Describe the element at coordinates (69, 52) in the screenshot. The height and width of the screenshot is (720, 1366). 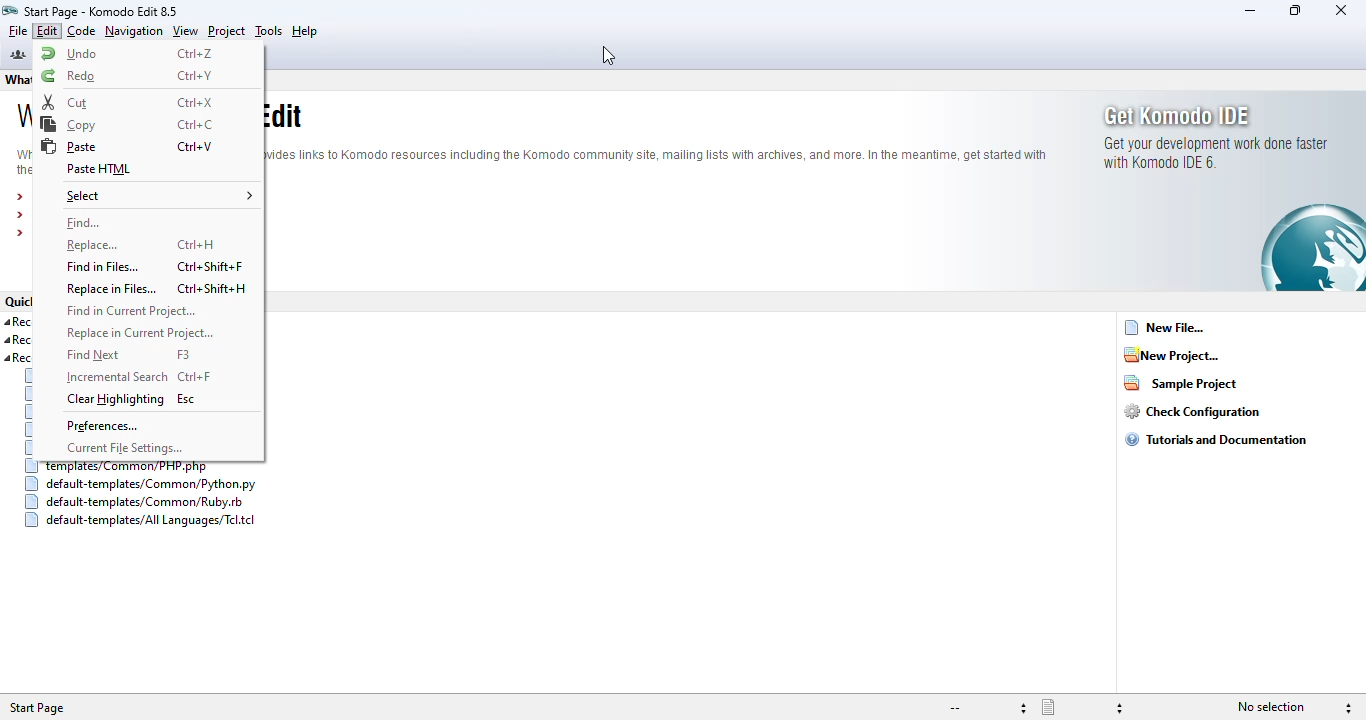
I see `undo` at that location.